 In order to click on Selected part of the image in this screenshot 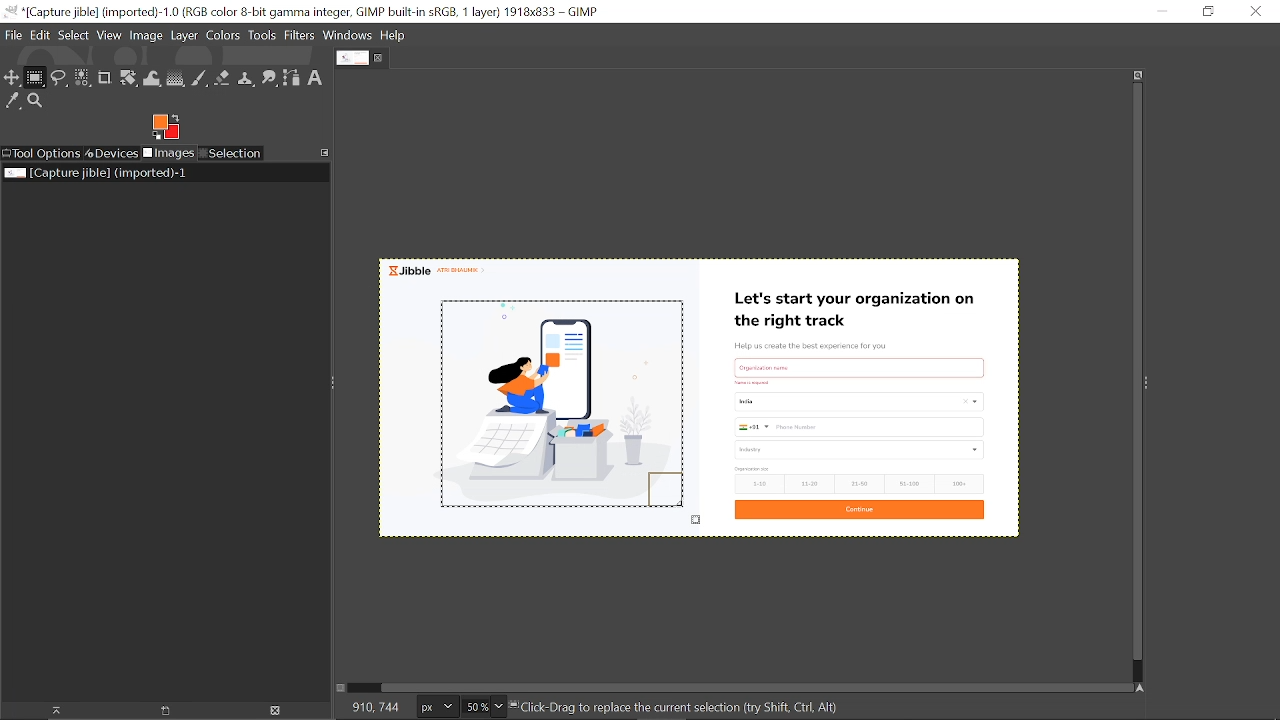, I will do `click(553, 410)`.